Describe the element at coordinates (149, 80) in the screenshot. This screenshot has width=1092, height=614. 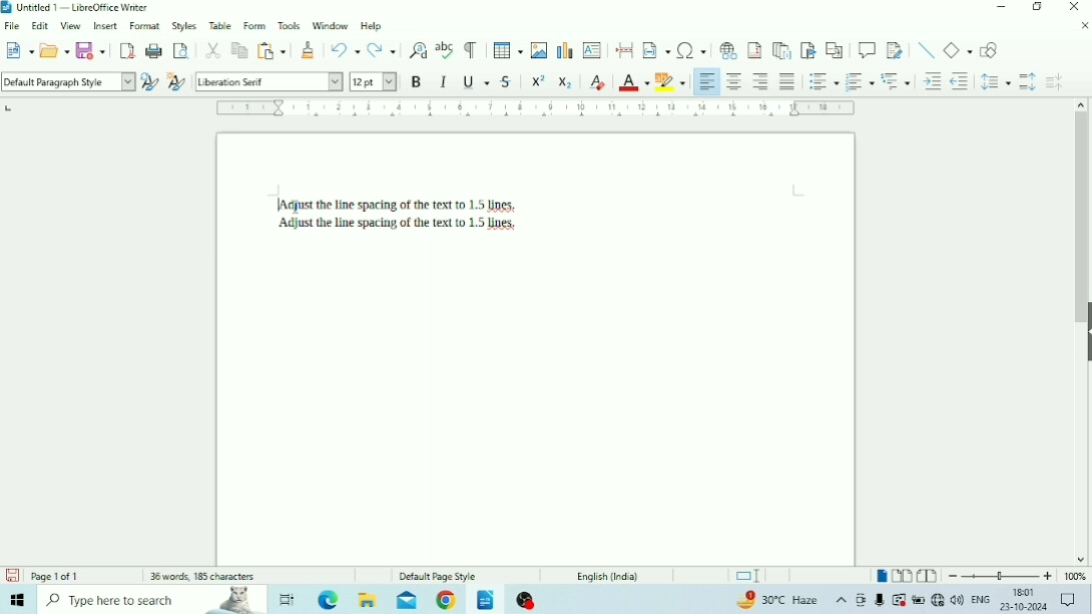
I see `Update Selected Style` at that location.